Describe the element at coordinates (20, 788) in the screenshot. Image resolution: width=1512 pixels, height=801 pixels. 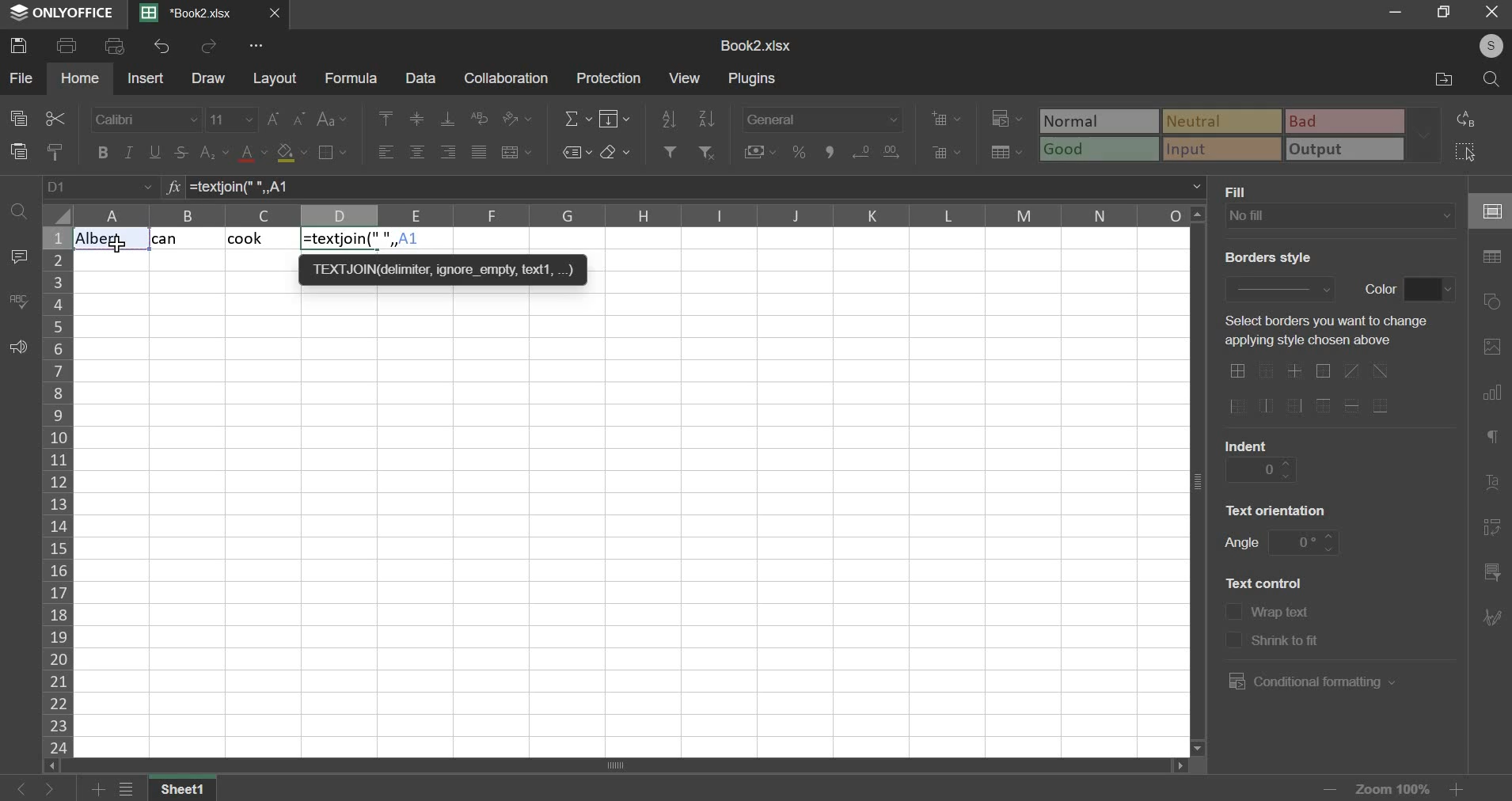
I see `go back` at that location.